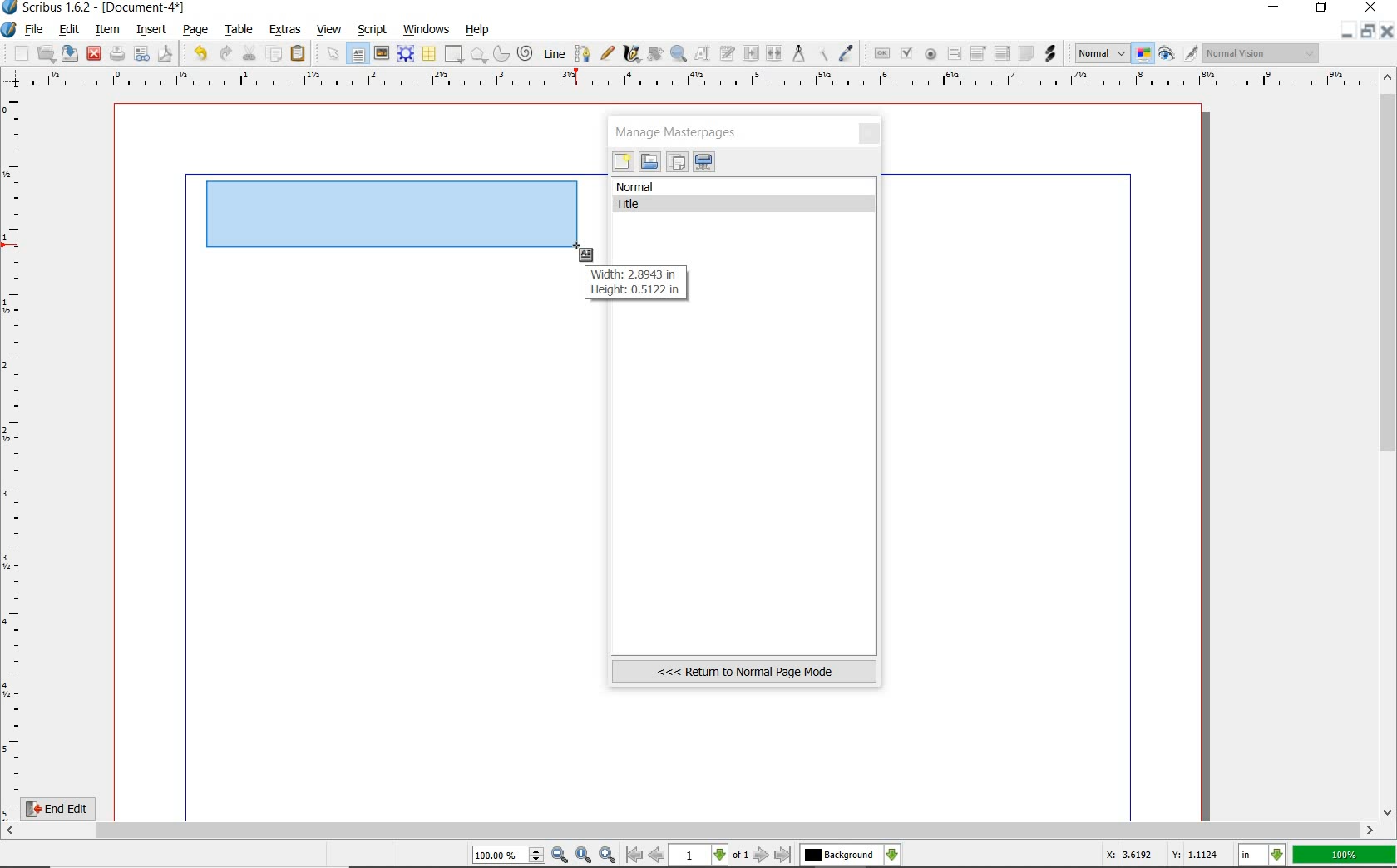 This screenshot has height=868, width=1397. I want to click on go to first page, so click(634, 856).